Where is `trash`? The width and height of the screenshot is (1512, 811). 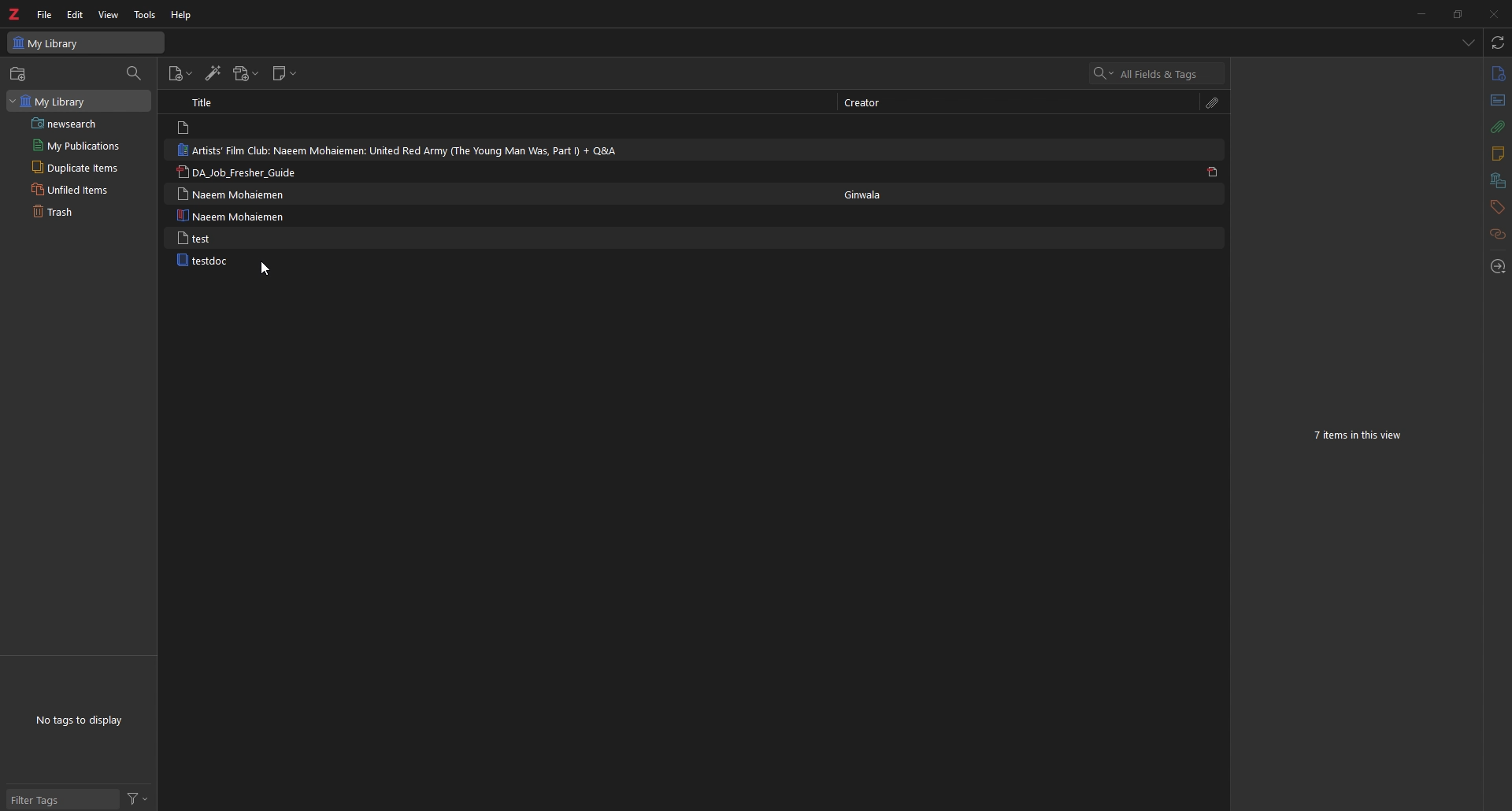 trash is located at coordinates (72, 212).